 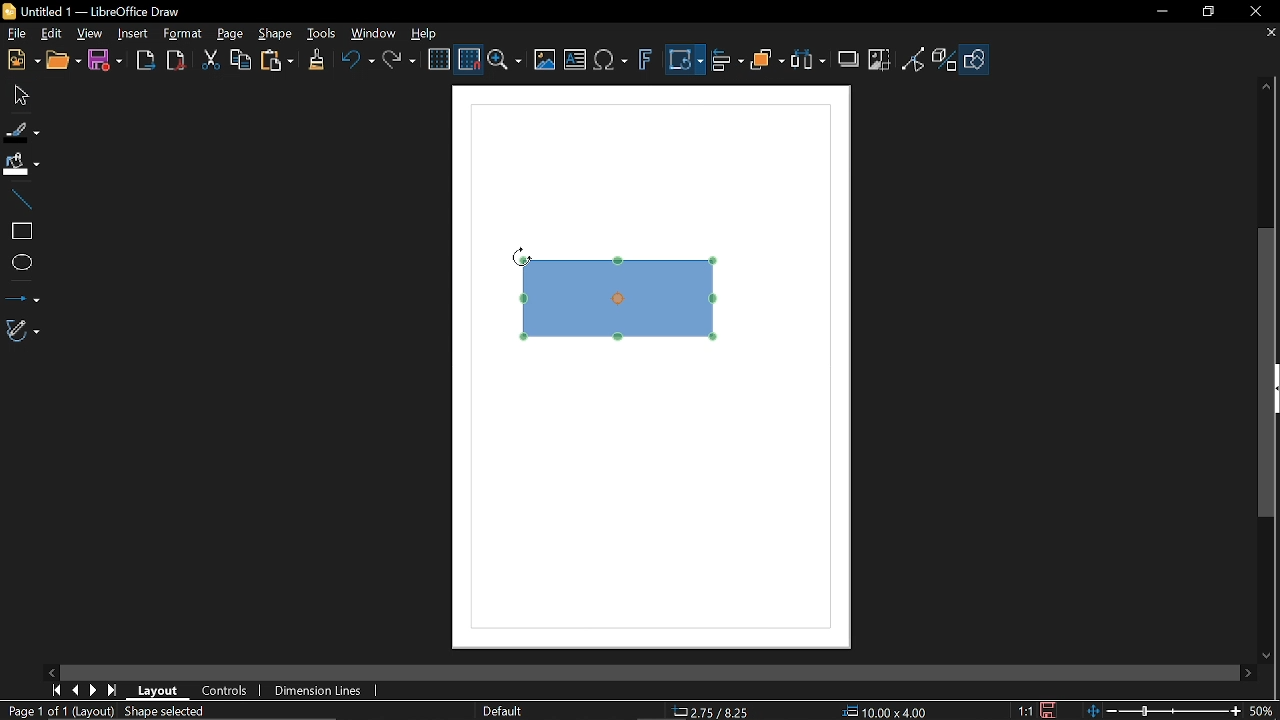 What do you see at coordinates (1159, 12) in the screenshot?
I see `Minimize` at bounding box center [1159, 12].